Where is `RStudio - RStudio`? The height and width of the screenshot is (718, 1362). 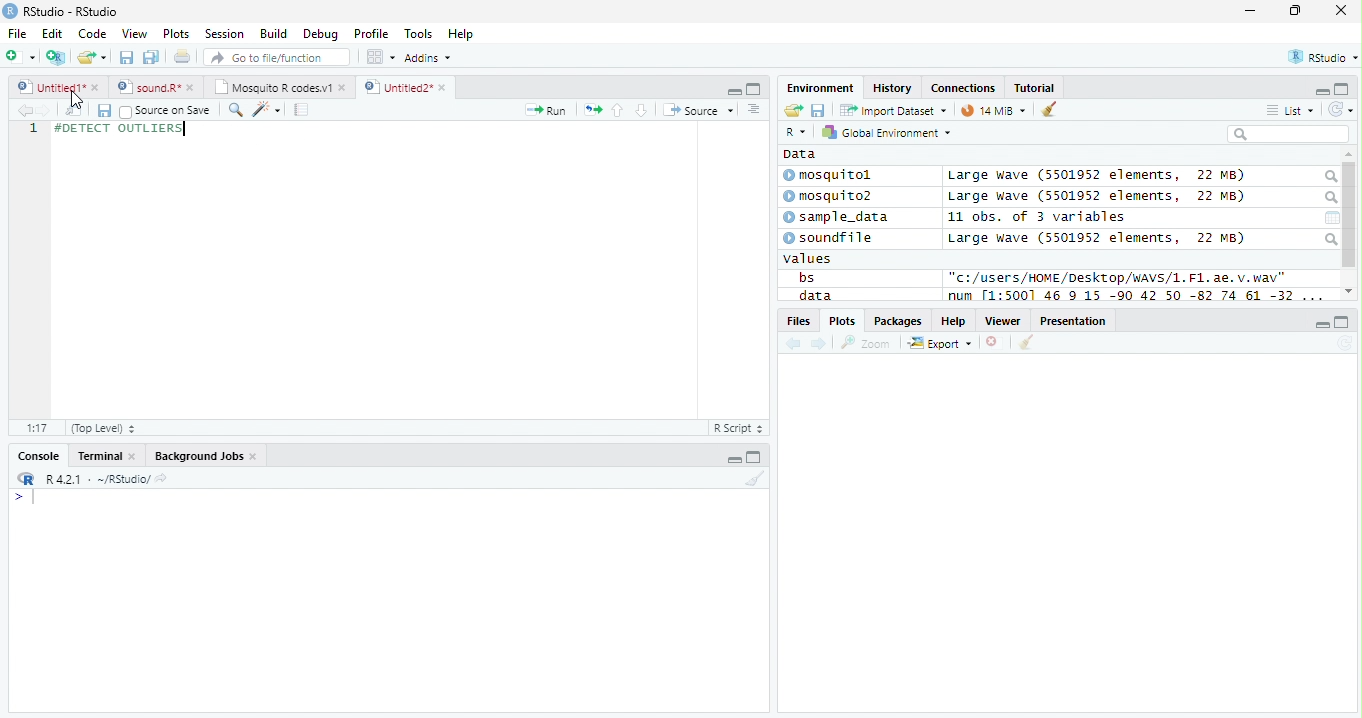
RStudio - RStudio is located at coordinates (71, 11).